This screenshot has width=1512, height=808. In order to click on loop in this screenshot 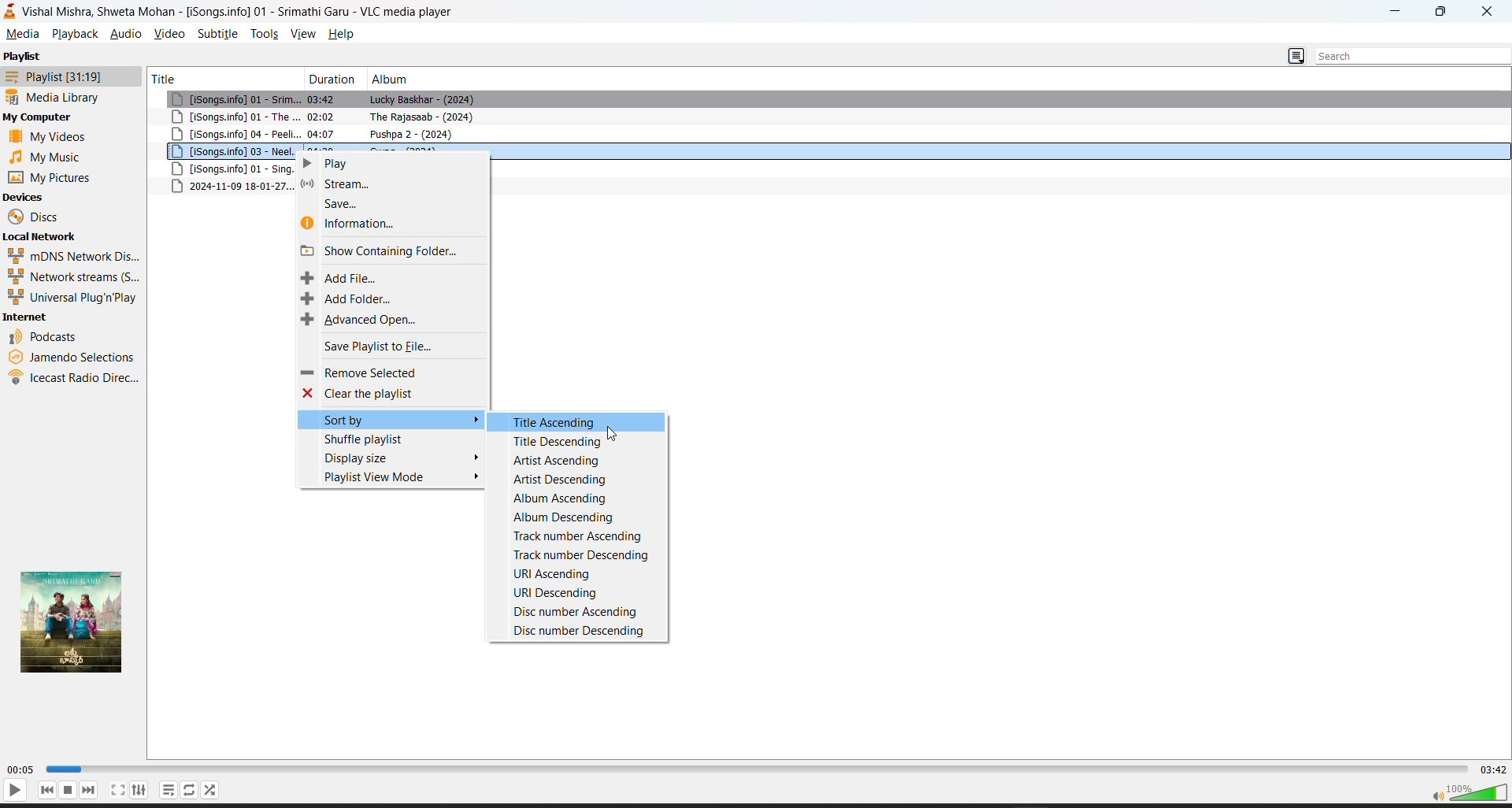, I will do `click(168, 790)`.